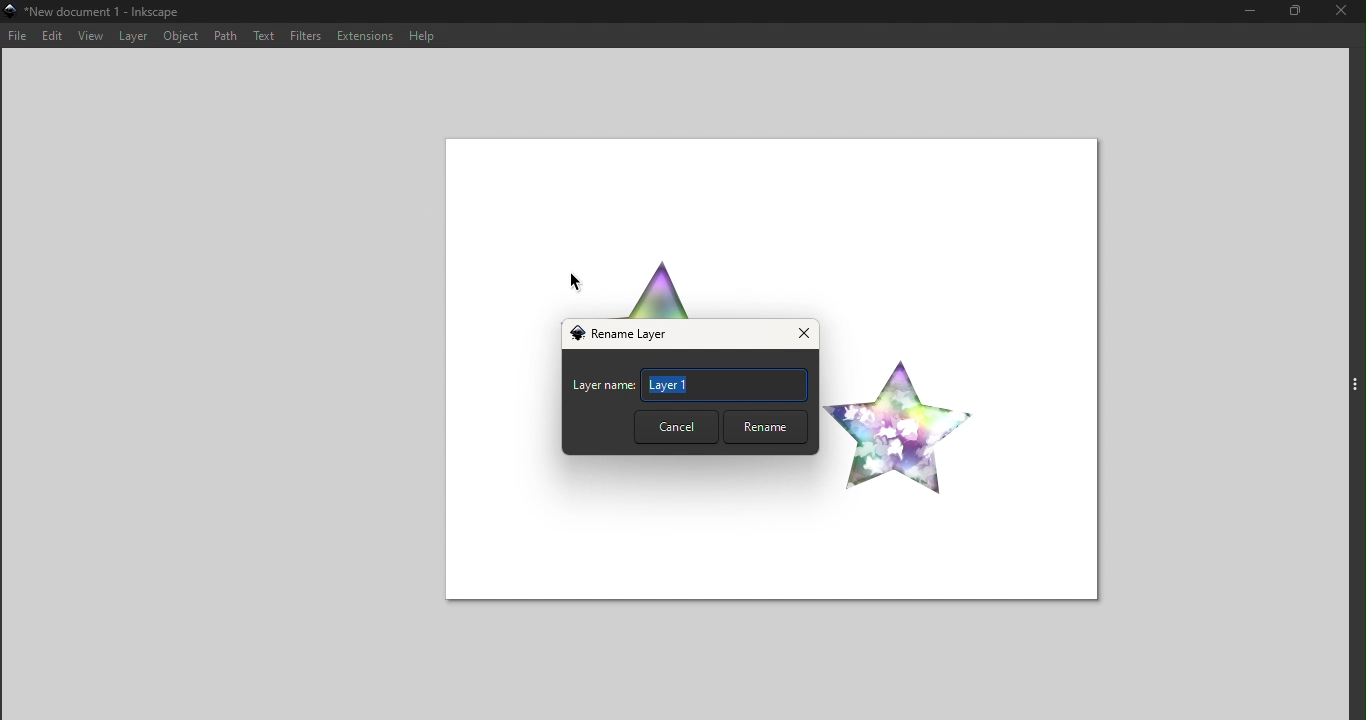  Describe the element at coordinates (419, 34) in the screenshot. I see `help` at that location.